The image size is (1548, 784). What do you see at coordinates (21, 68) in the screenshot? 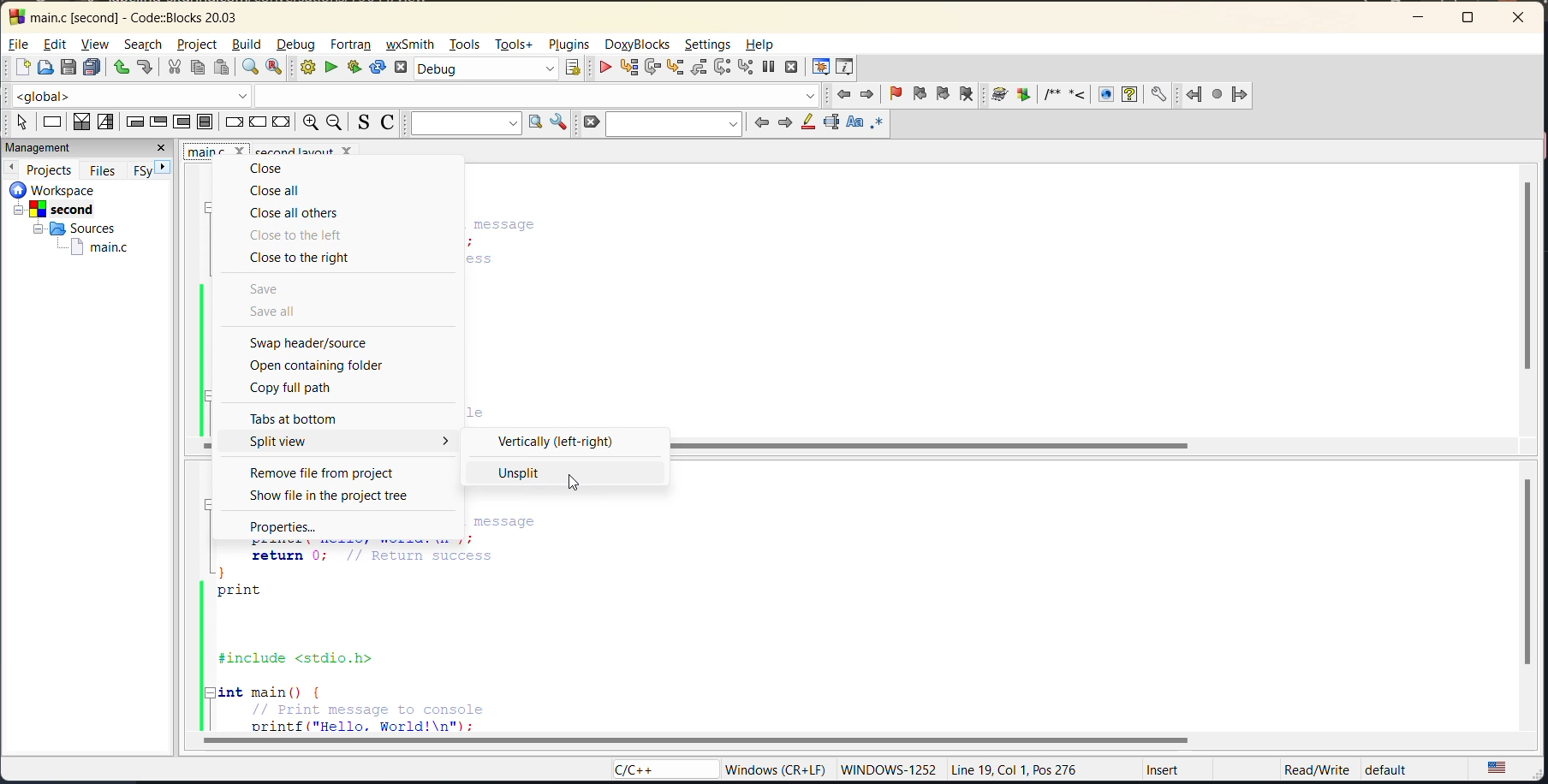
I see `new` at bounding box center [21, 68].